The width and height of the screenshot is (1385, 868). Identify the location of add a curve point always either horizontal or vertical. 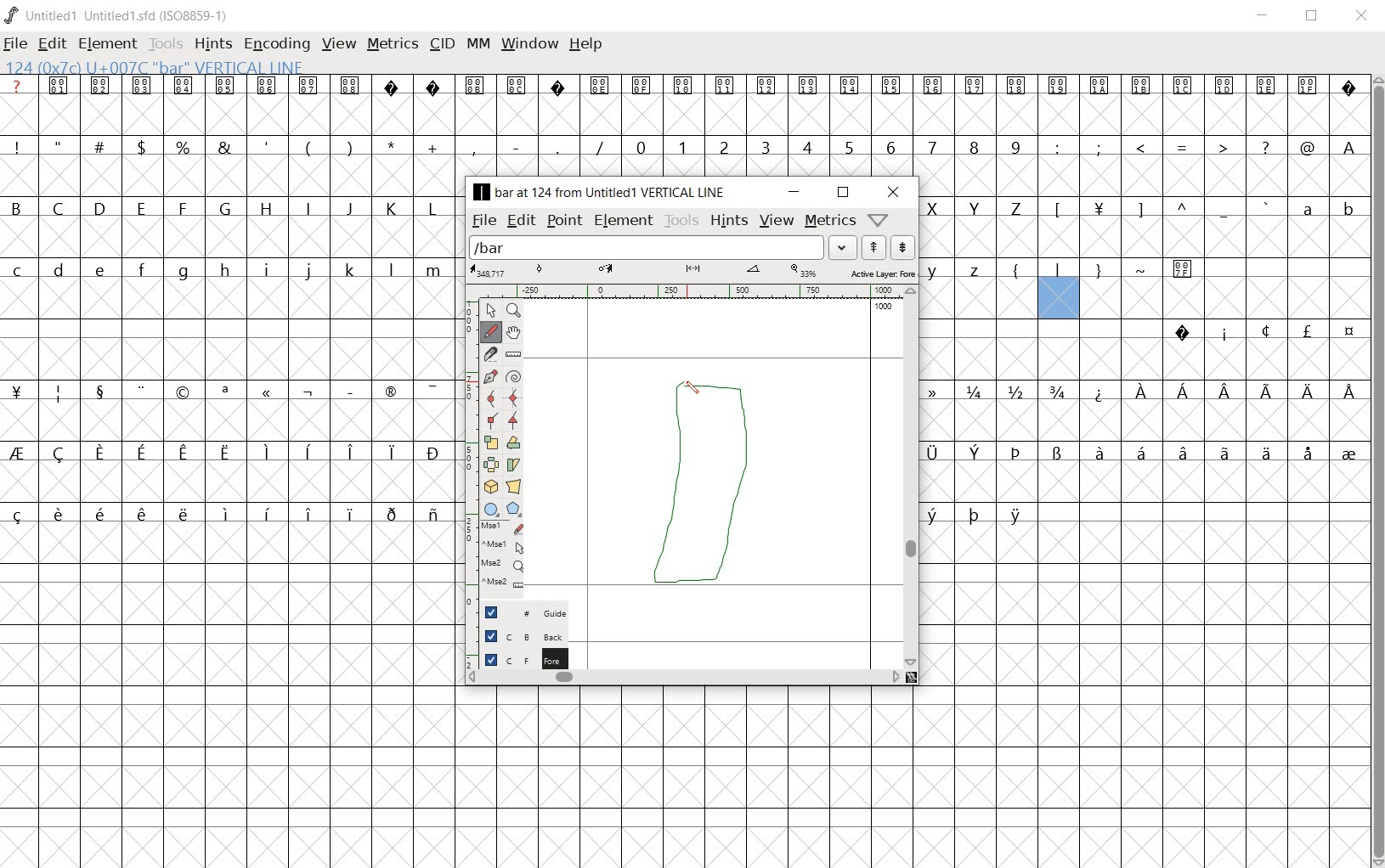
(512, 397).